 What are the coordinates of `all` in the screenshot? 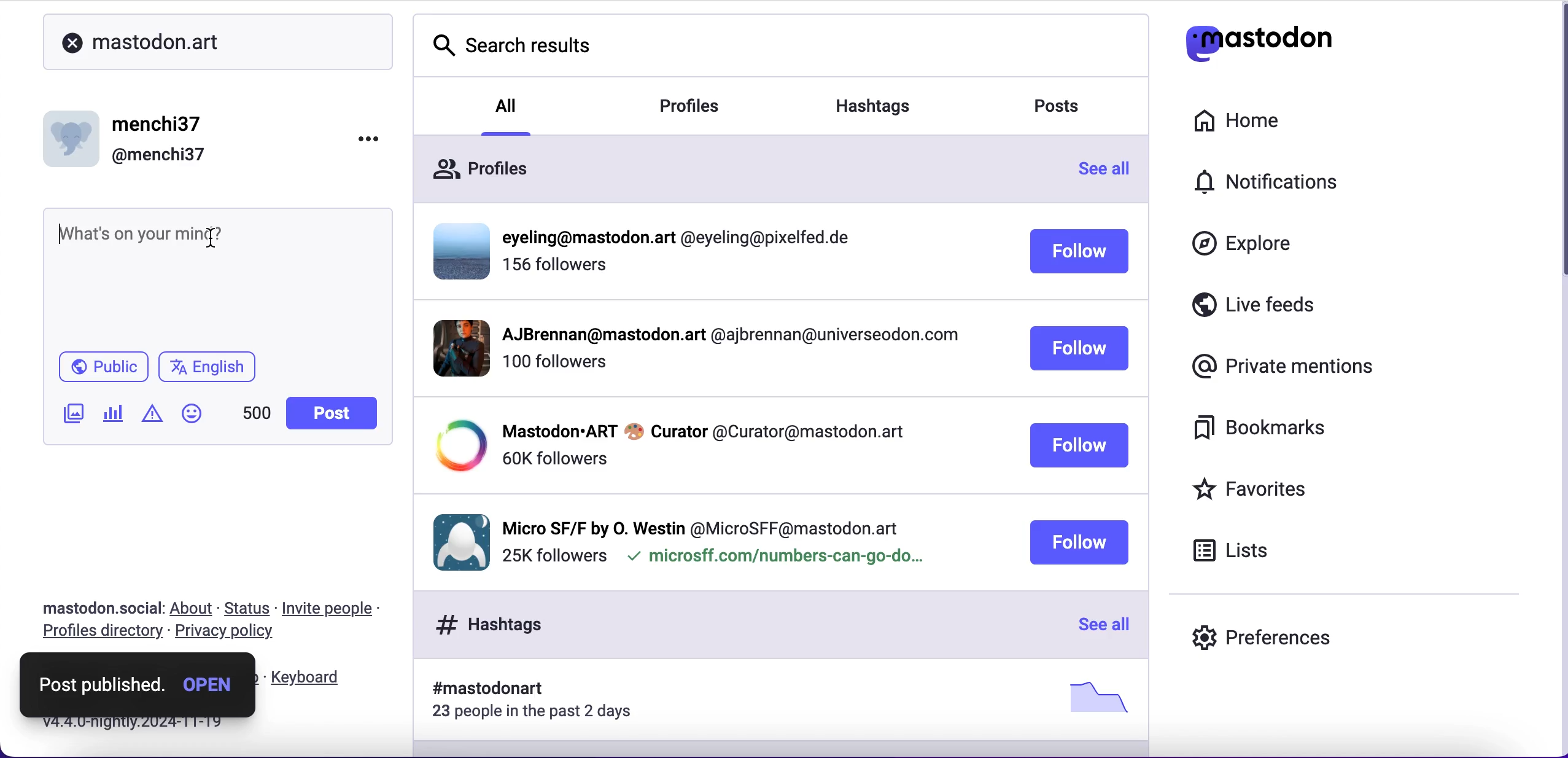 It's located at (508, 104).